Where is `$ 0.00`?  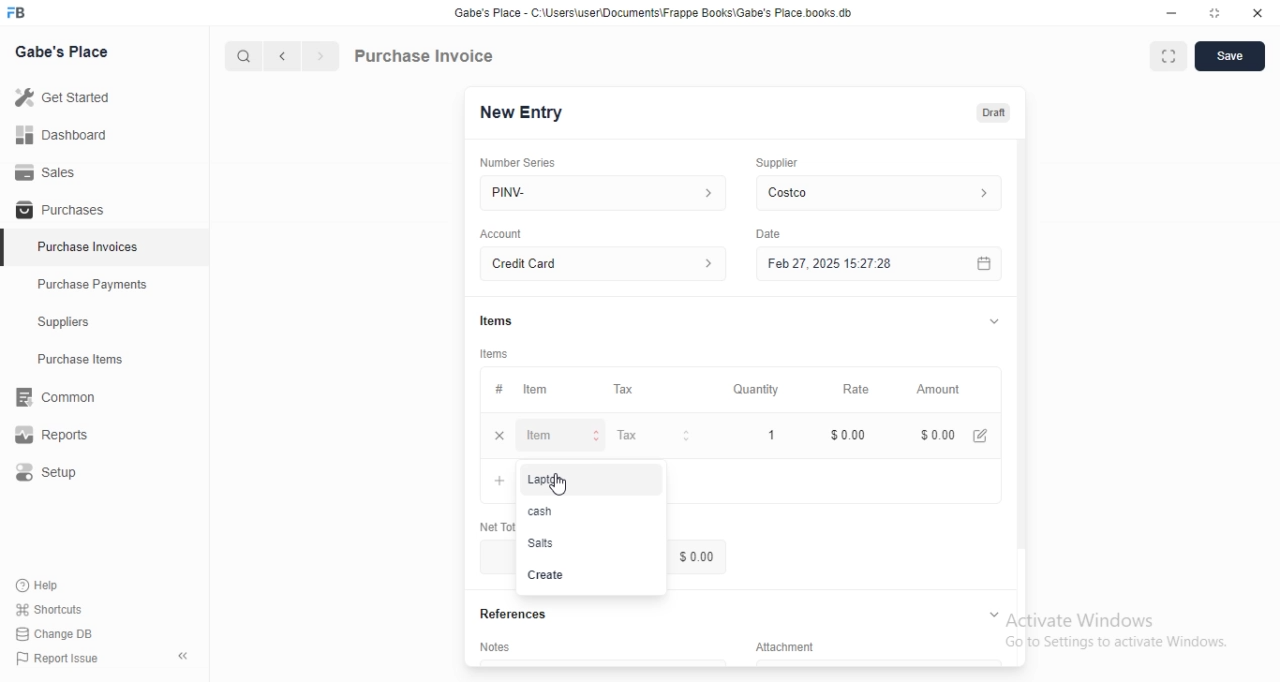 $ 0.00 is located at coordinates (497, 556).